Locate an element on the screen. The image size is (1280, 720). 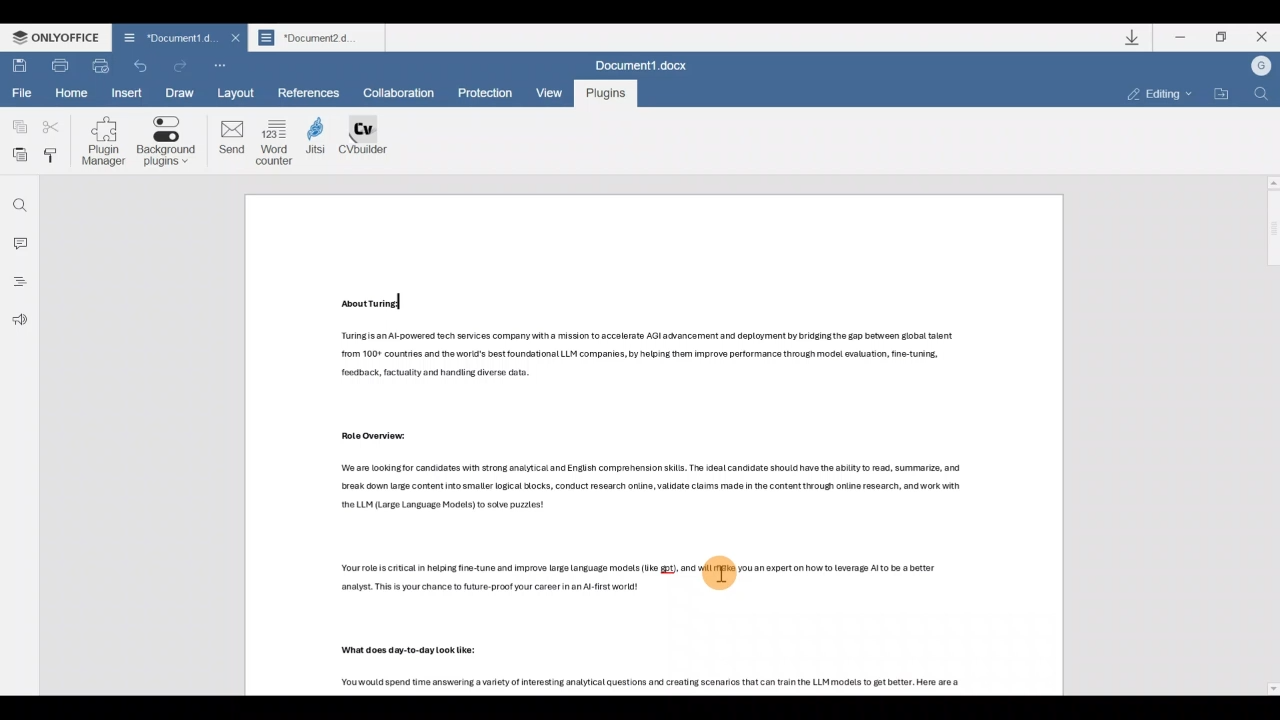
Open file location is located at coordinates (1218, 94).